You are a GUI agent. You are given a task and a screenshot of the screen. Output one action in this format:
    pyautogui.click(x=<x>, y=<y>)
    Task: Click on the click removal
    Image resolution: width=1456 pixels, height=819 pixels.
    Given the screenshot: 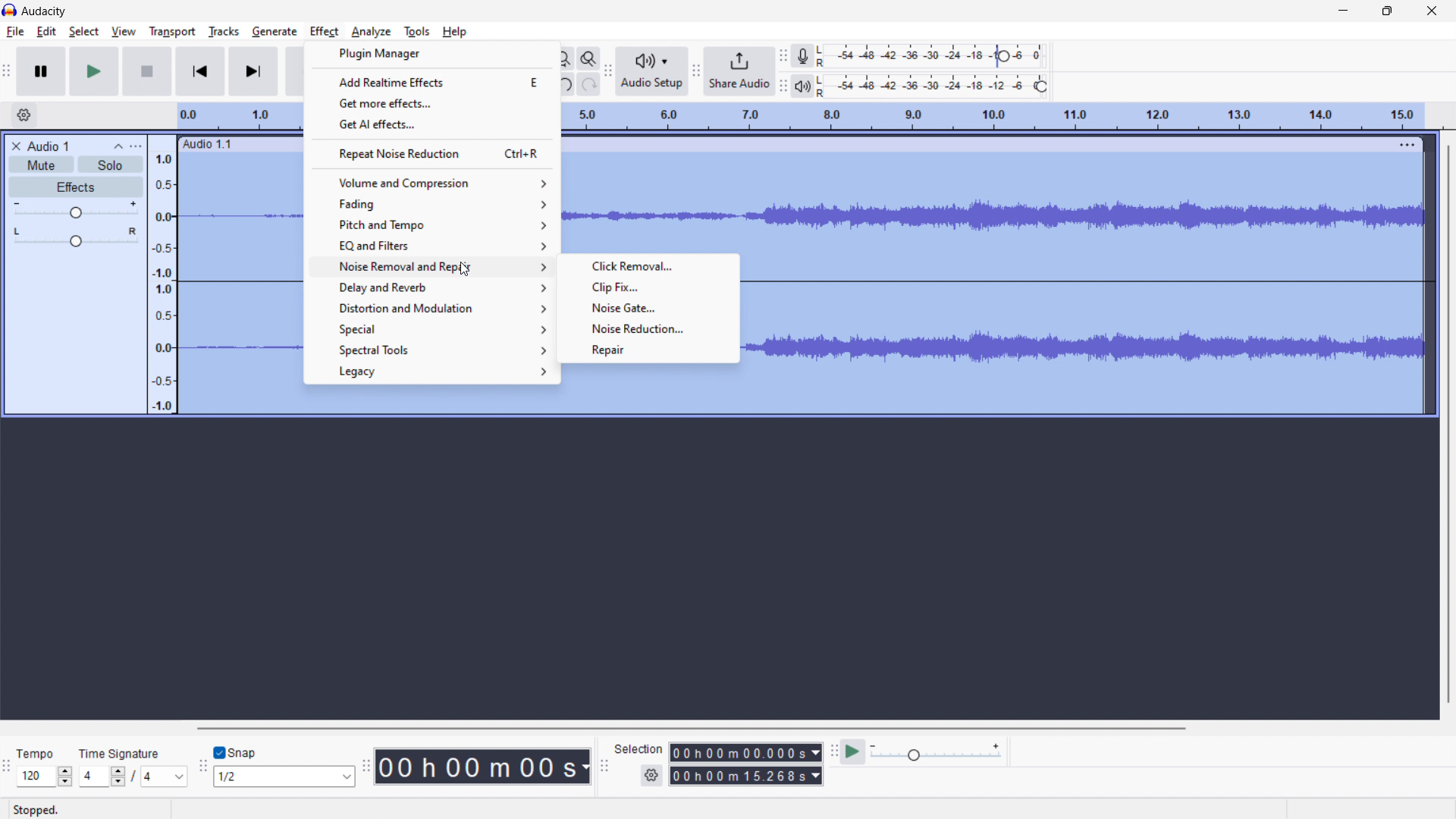 What is the action you would take?
    pyautogui.click(x=648, y=266)
    